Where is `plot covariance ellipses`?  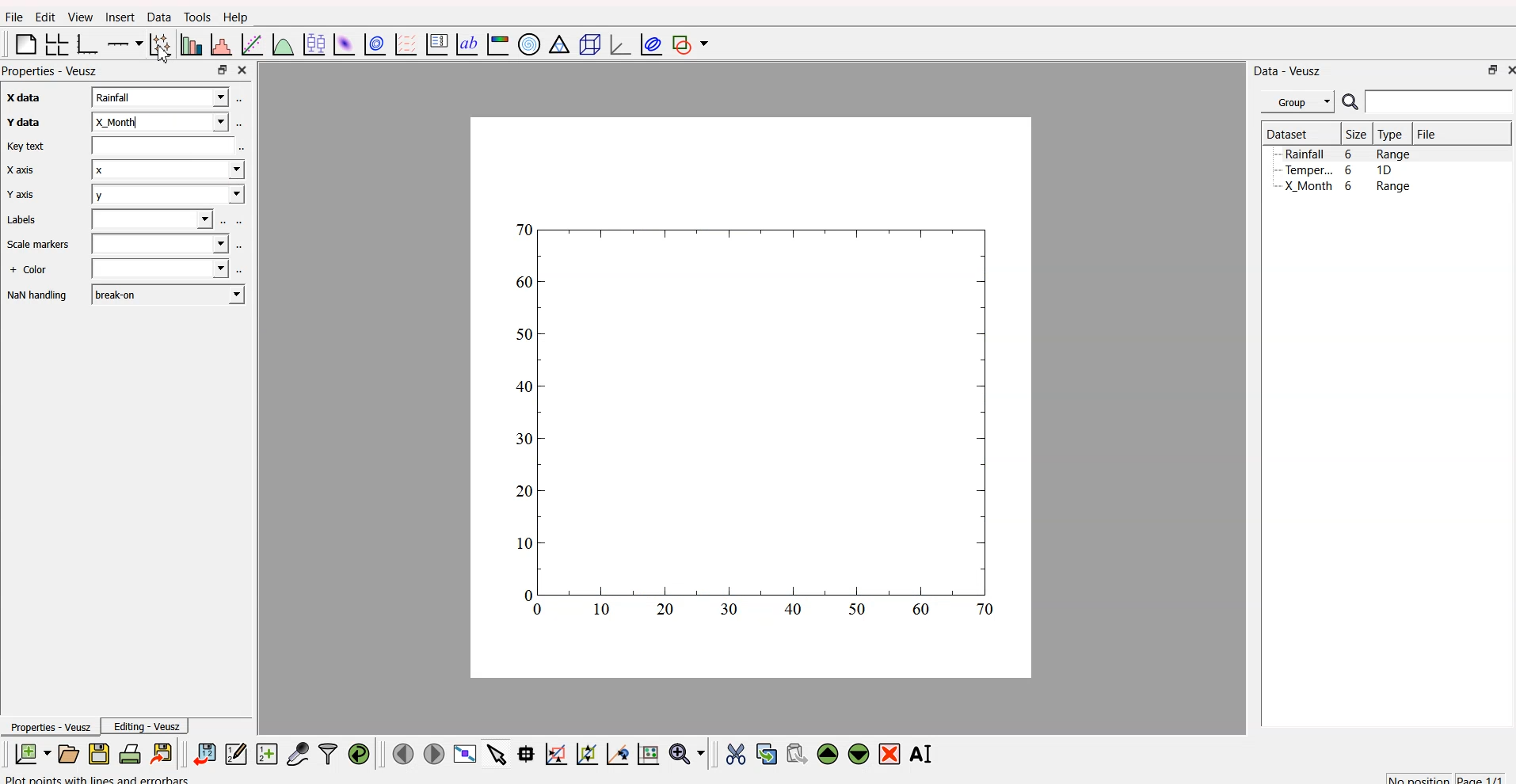
plot covariance ellipses is located at coordinates (648, 44).